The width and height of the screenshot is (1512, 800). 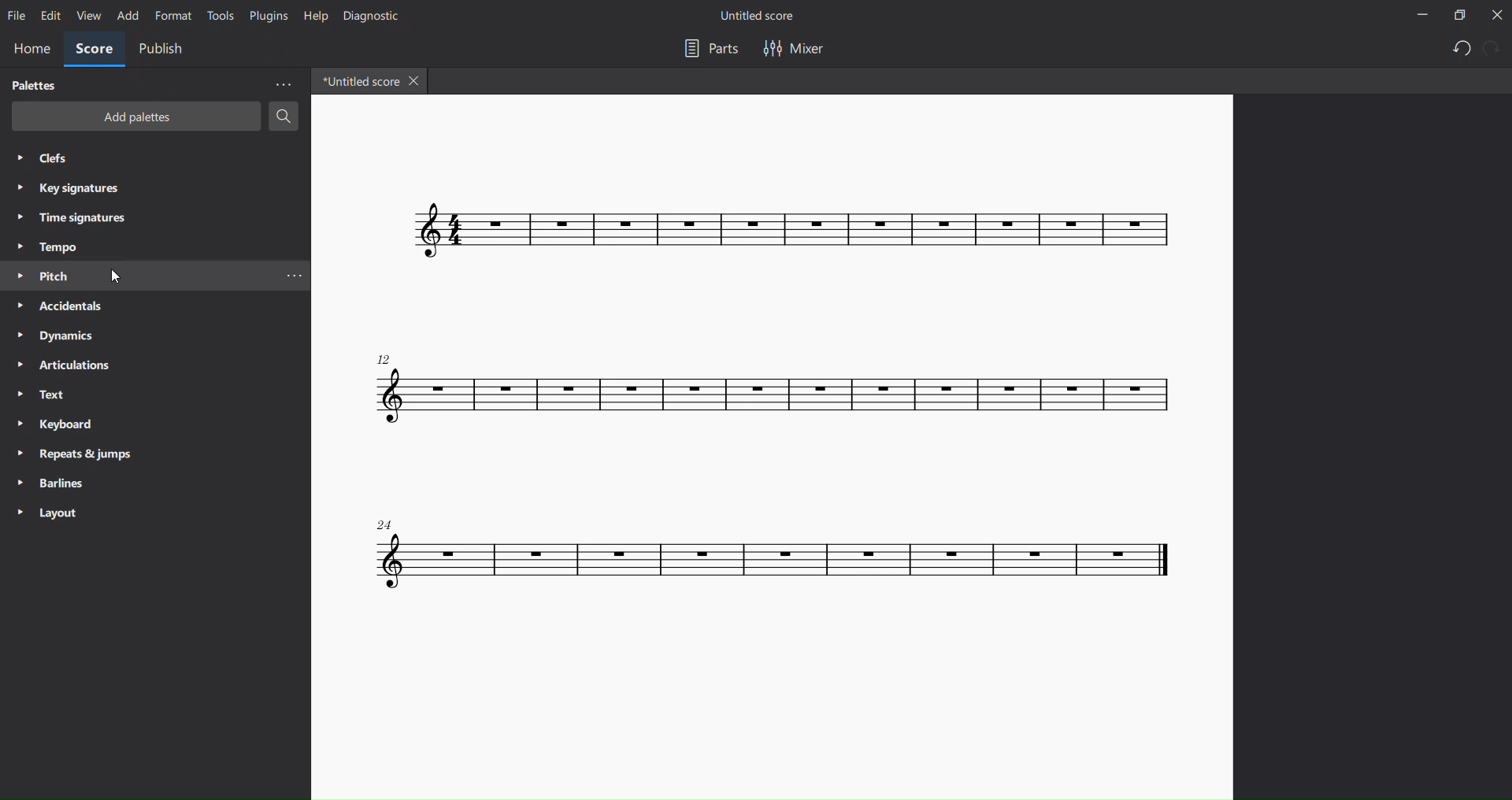 What do you see at coordinates (114, 276) in the screenshot?
I see `cursor` at bounding box center [114, 276].